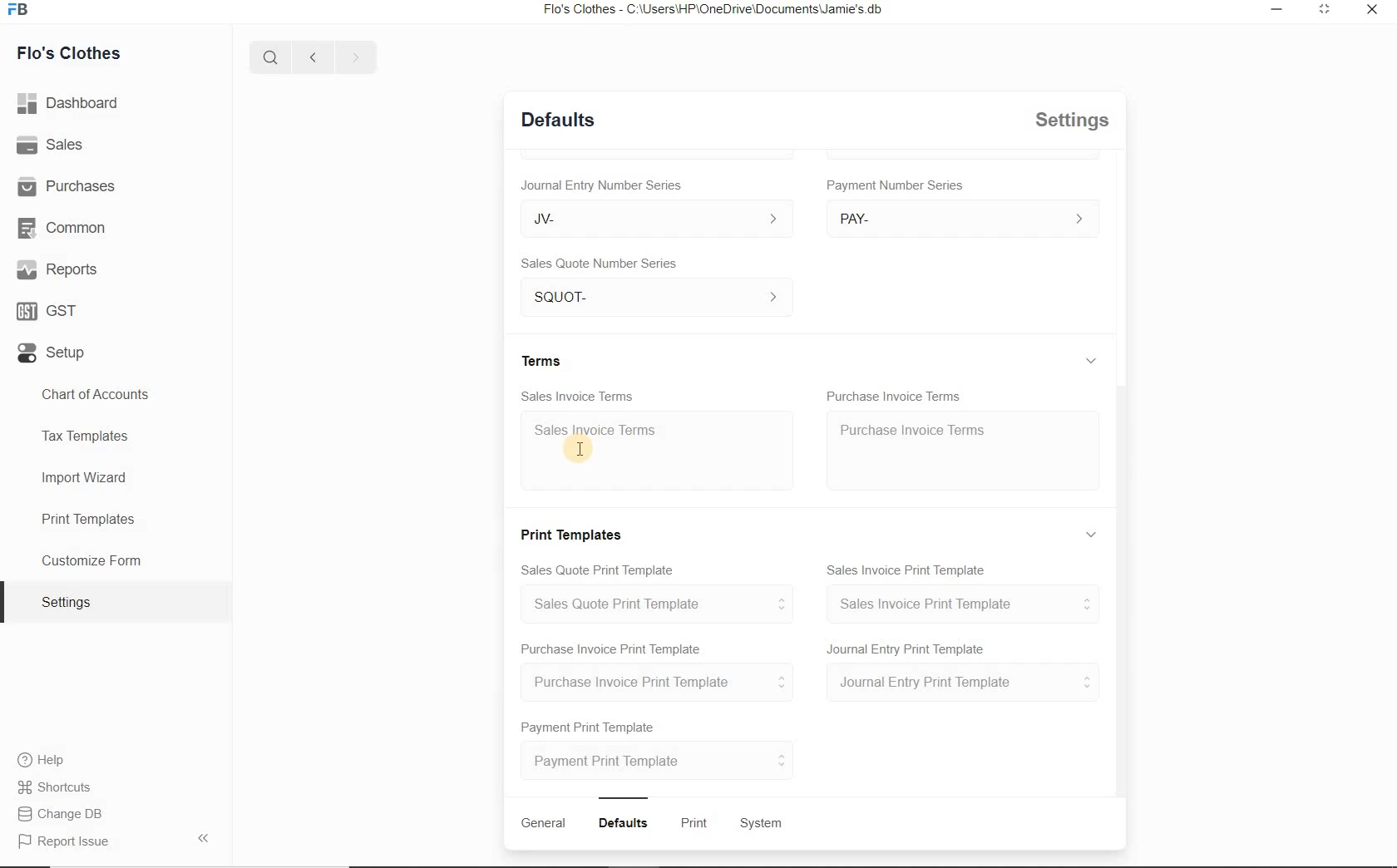 Image resolution: width=1397 pixels, height=868 pixels. Describe the element at coordinates (57, 271) in the screenshot. I see `Reports` at that location.